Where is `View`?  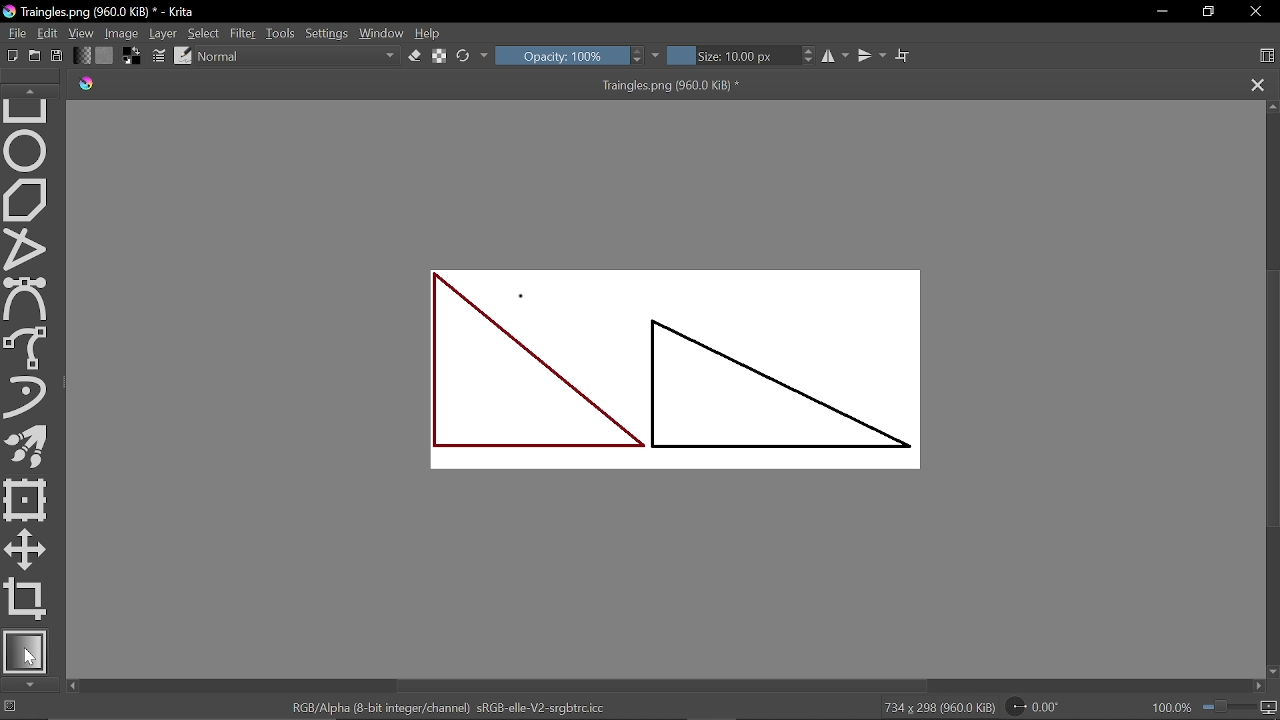 View is located at coordinates (81, 32).